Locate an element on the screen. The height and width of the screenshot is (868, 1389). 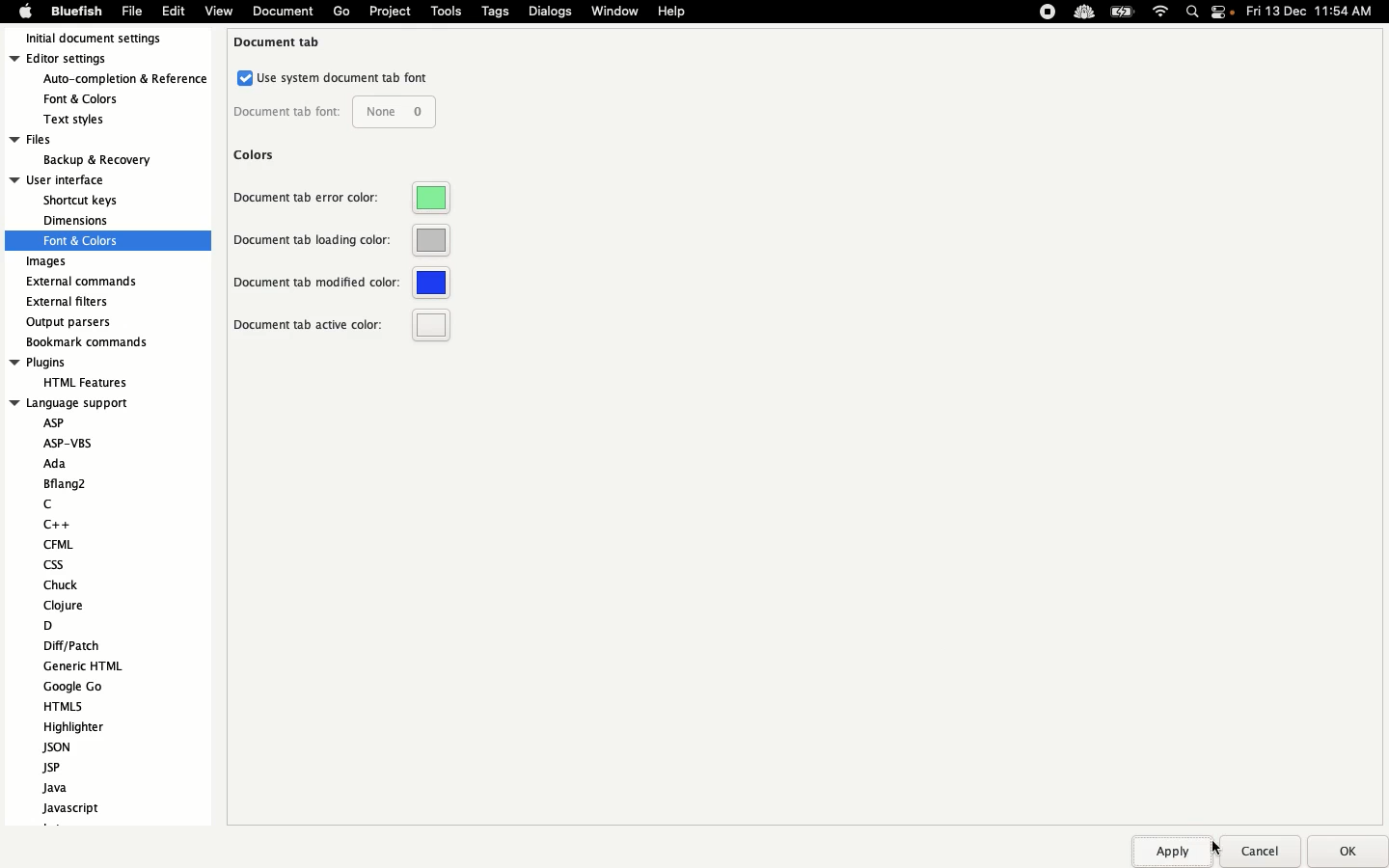
Window is located at coordinates (616, 13).